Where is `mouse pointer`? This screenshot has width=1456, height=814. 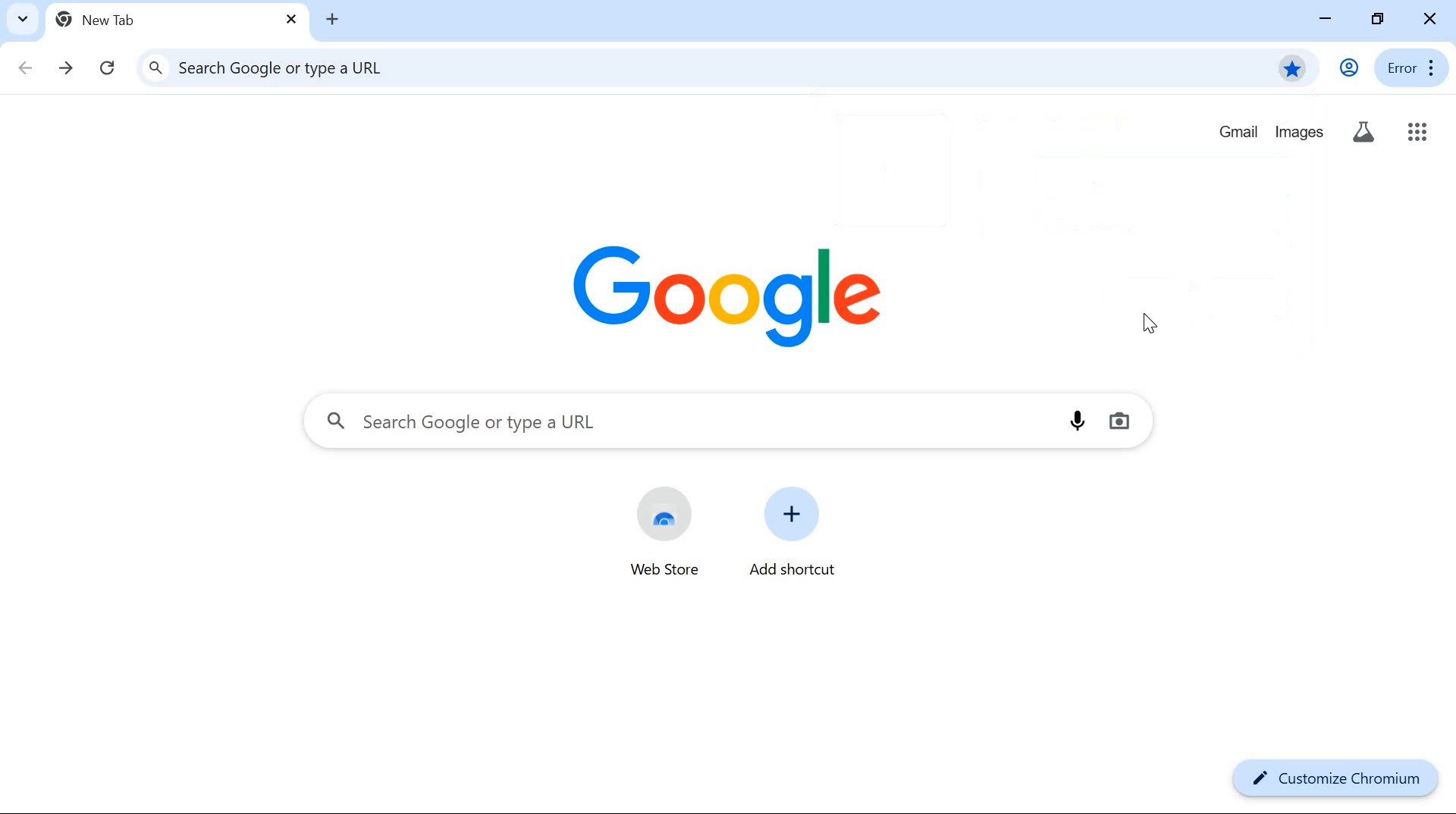
mouse pointer is located at coordinates (1148, 326).